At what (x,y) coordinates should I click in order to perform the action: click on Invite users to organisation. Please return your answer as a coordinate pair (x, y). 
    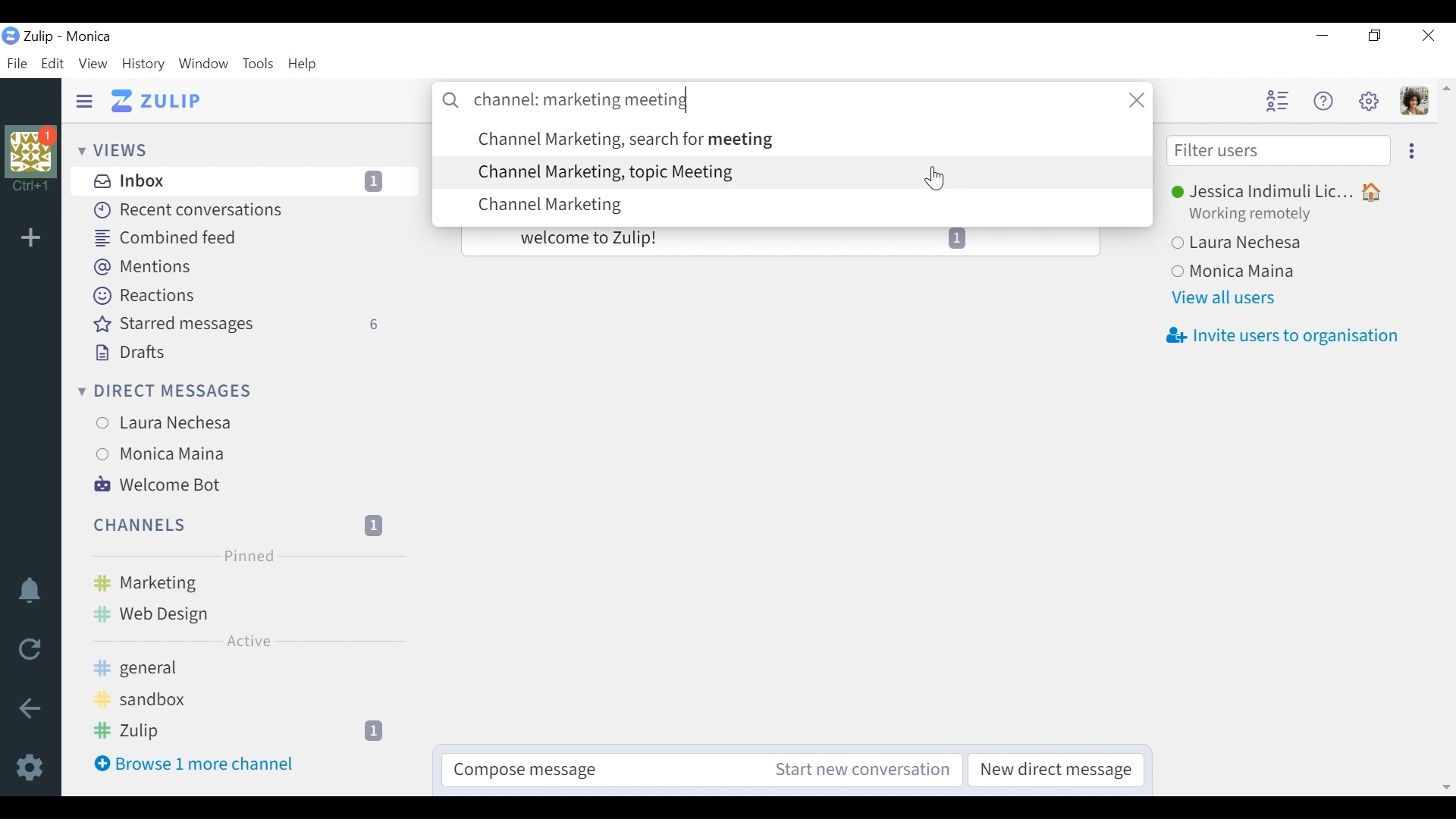
    Looking at the image, I should click on (1286, 334).